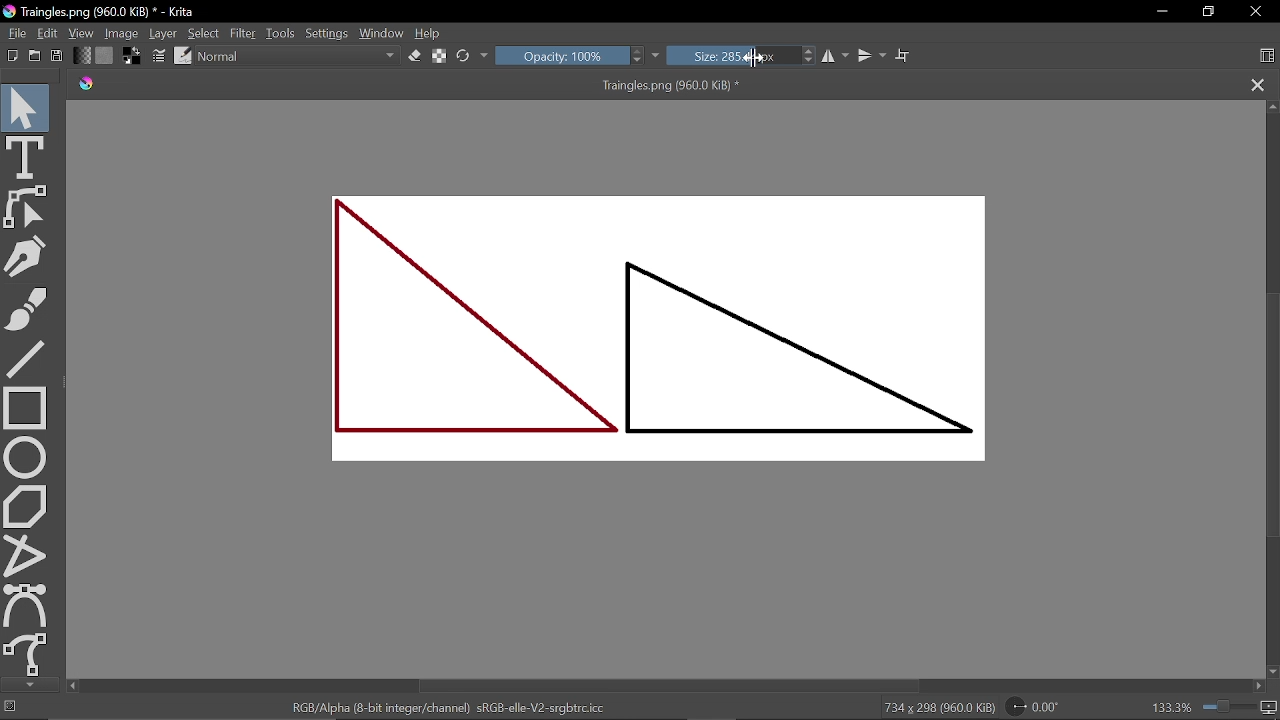 The height and width of the screenshot is (720, 1280). What do you see at coordinates (382, 34) in the screenshot?
I see `Window` at bounding box center [382, 34].